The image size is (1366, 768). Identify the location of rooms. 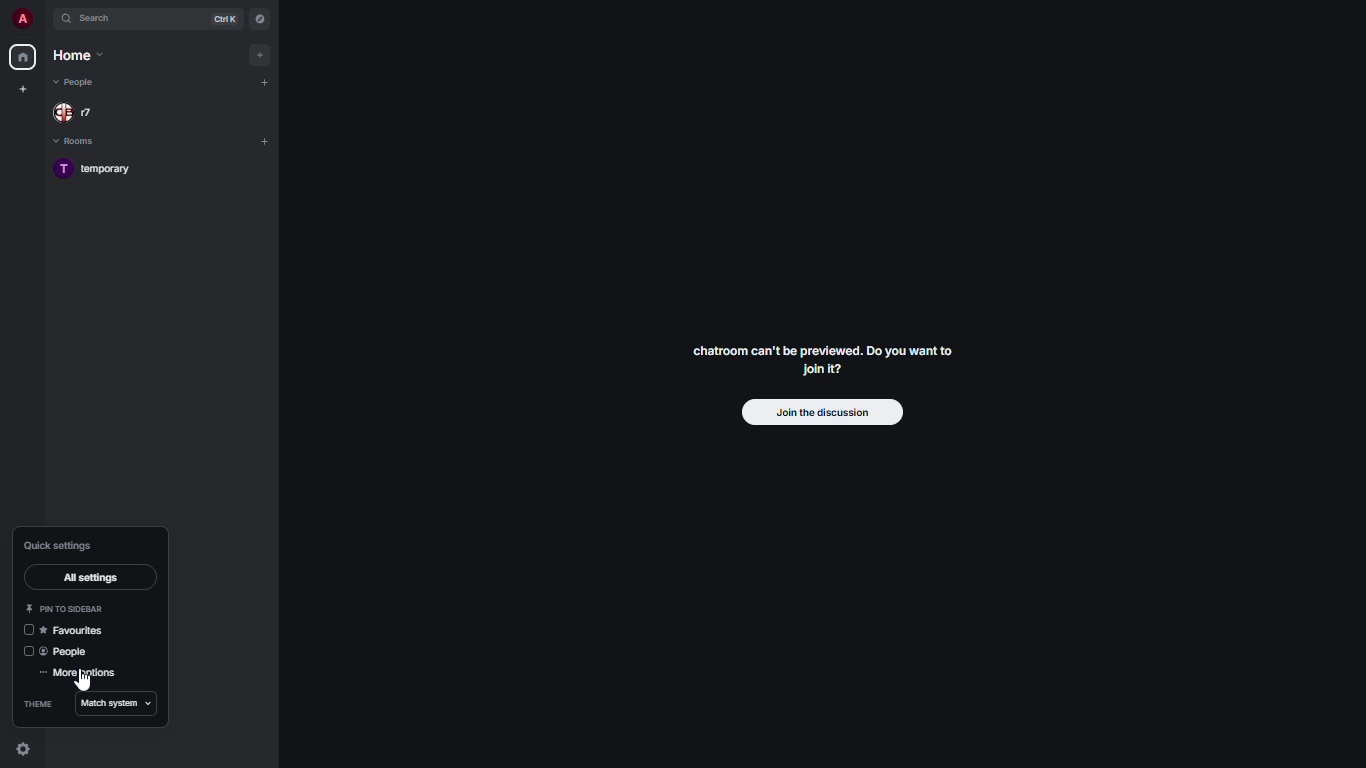
(75, 141).